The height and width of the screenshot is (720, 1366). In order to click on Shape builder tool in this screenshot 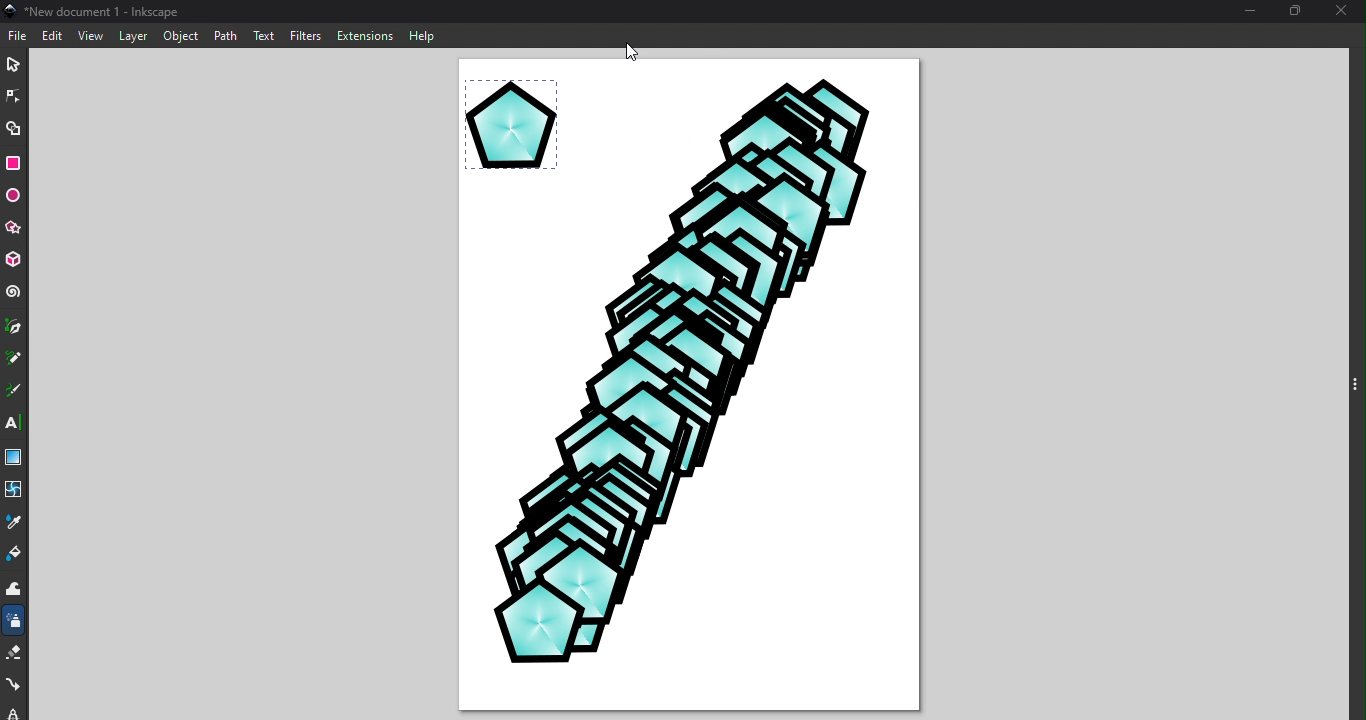, I will do `click(13, 129)`.